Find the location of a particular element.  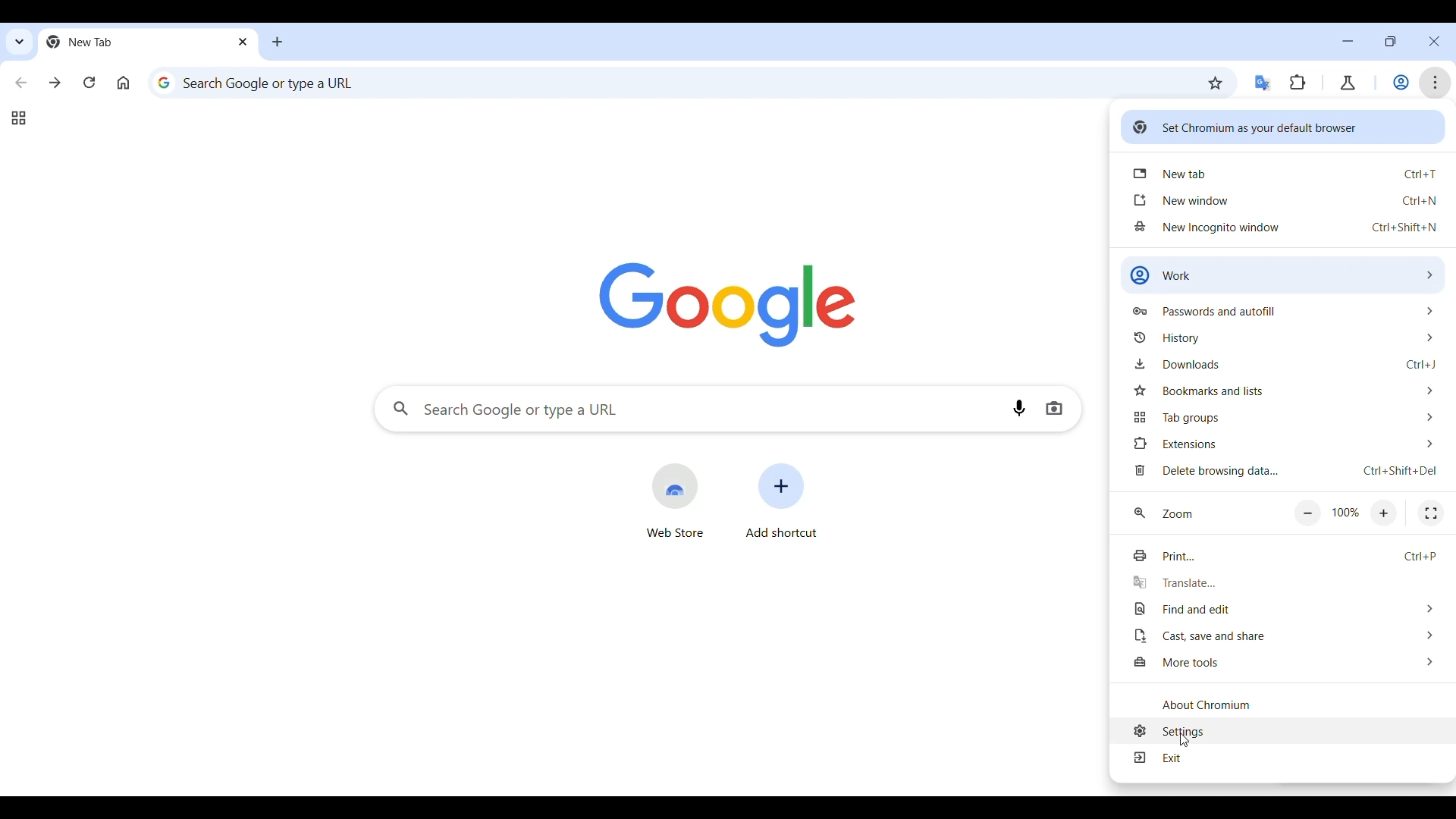

Work is located at coordinates (1401, 83).